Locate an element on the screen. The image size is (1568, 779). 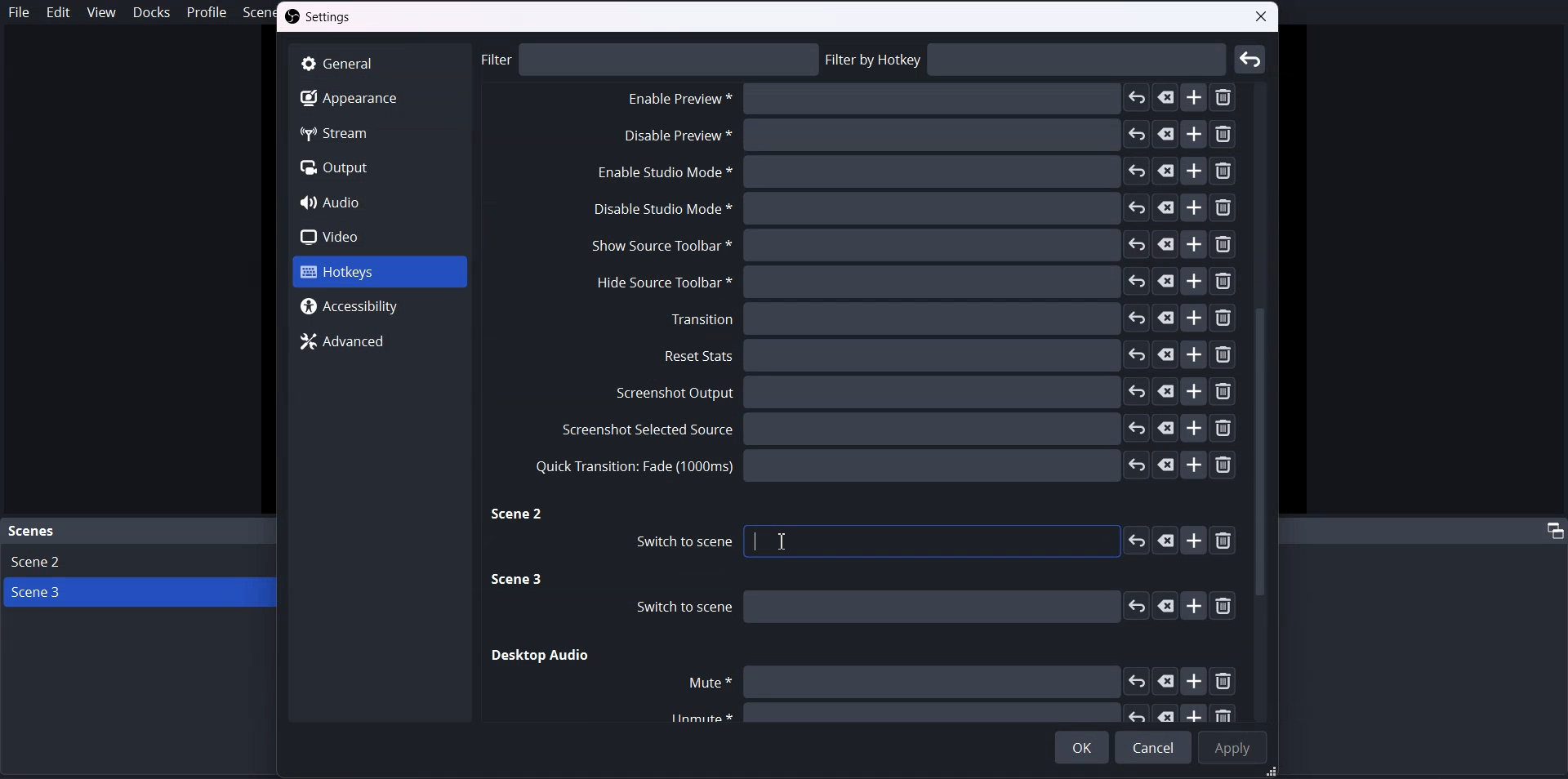
Video is located at coordinates (379, 236).